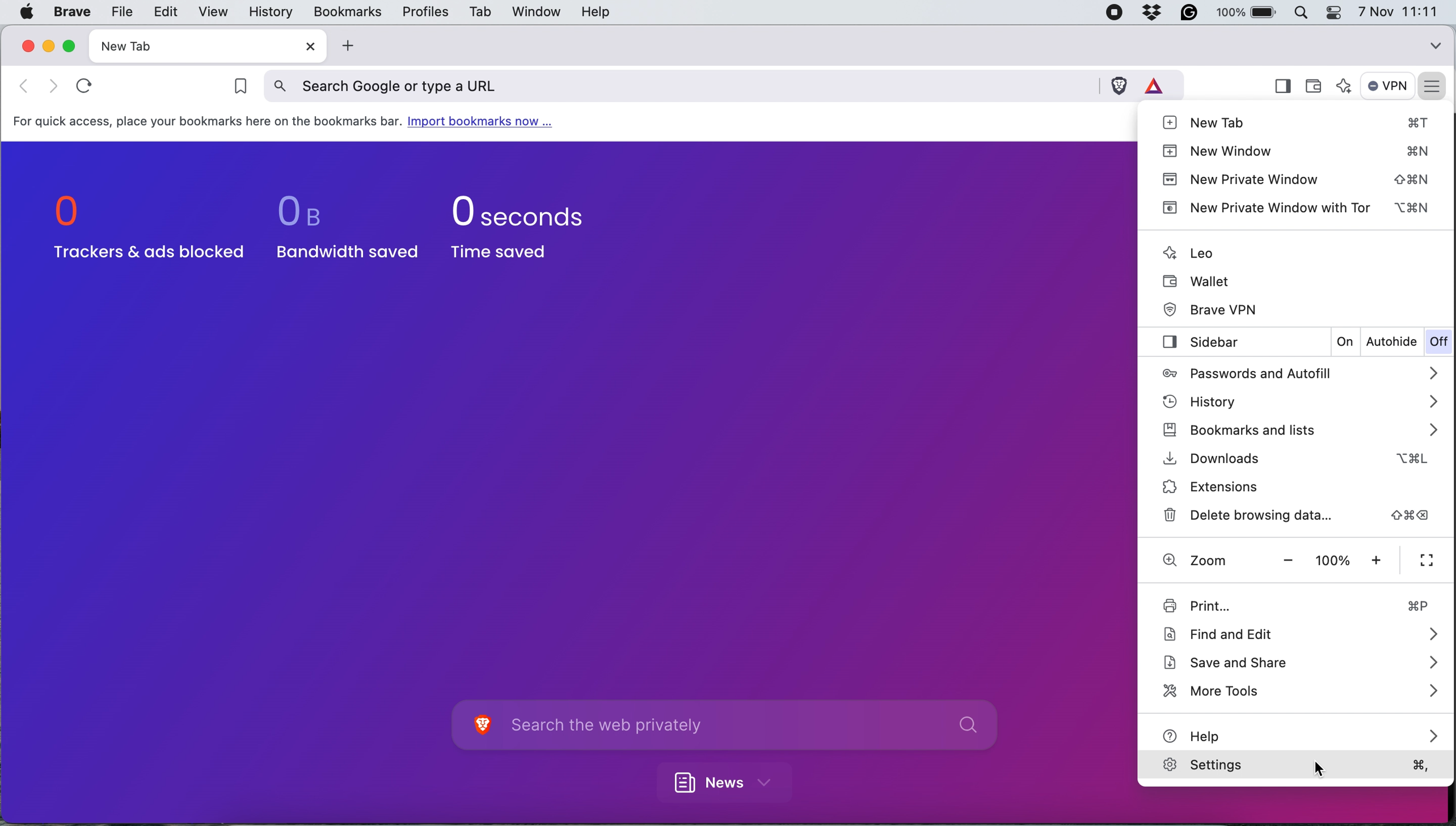 The width and height of the screenshot is (1456, 826). I want to click on battery, so click(1249, 12).